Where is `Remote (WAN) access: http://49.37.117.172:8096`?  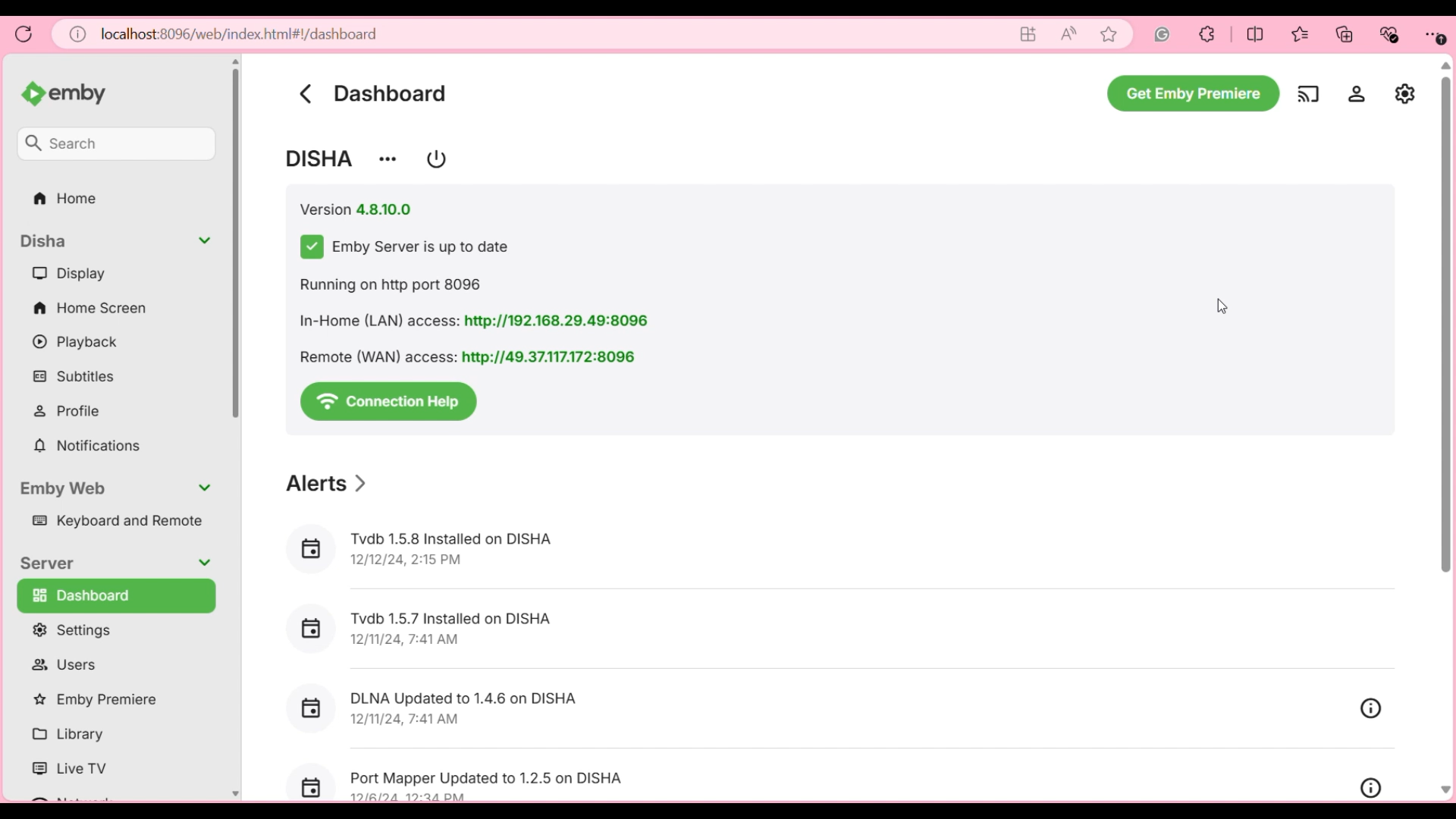
Remote (WAN) access: http://49.37.117.172:8096 is located at coordinates (467, 356).